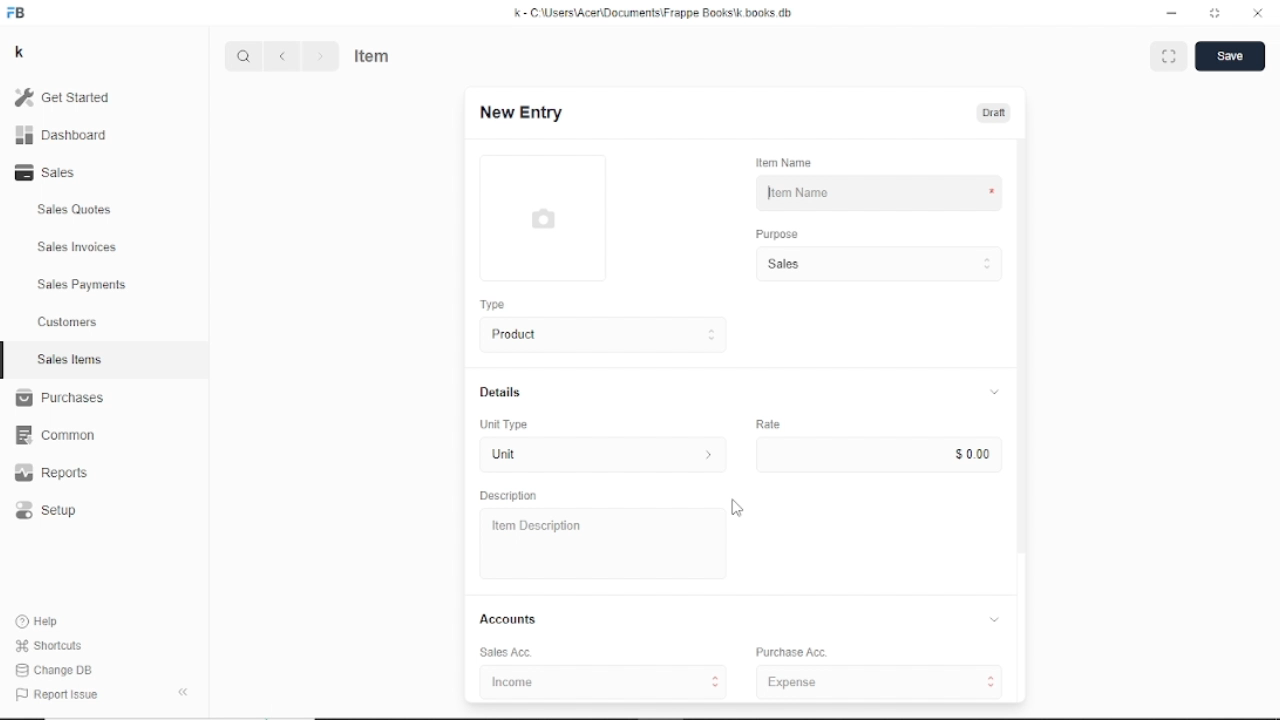  Describe the element at coordinates (884, 682) in the screenshot. I see `Expenses` at that location.